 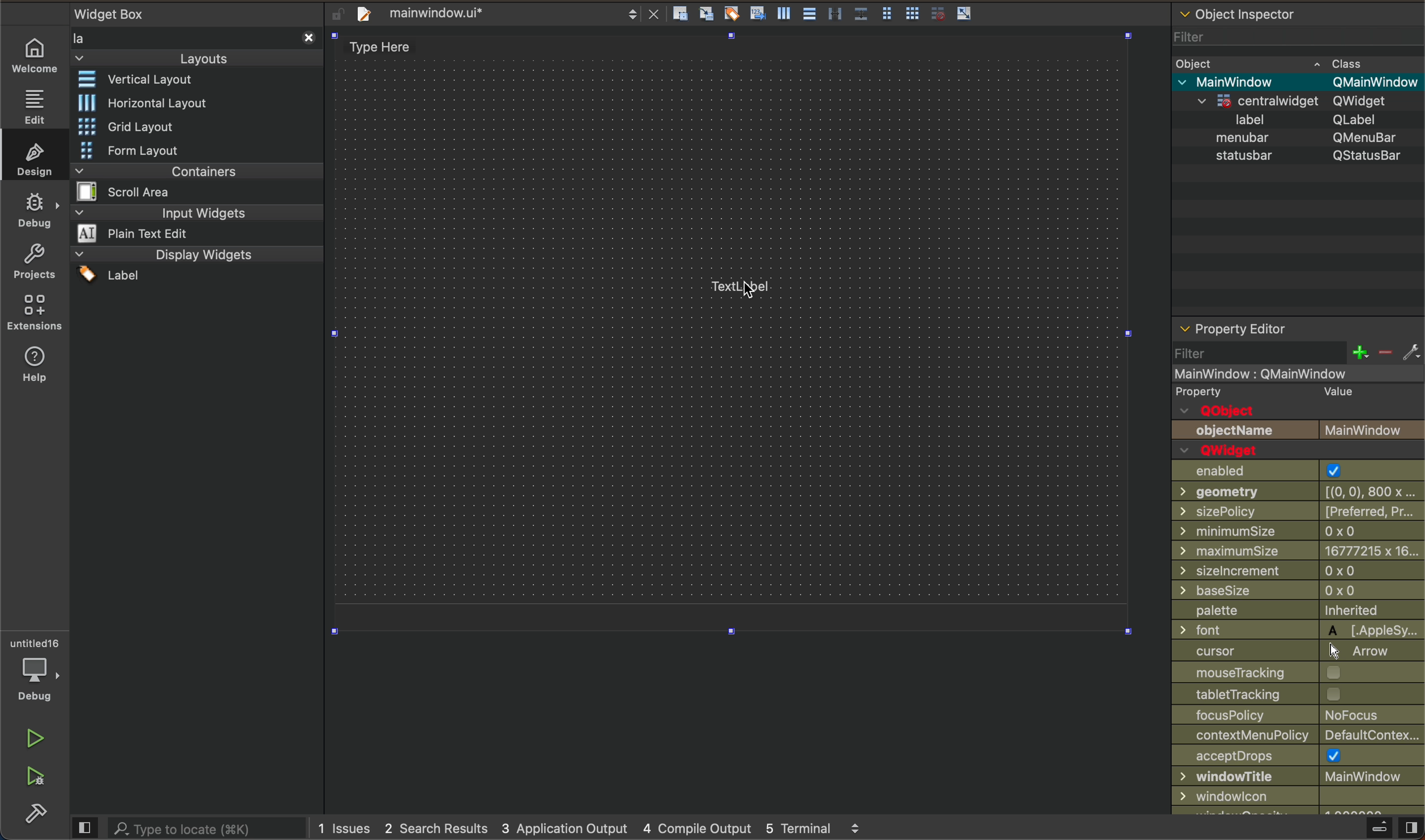 What do you see at coordinates (1295, 351) in the screenshot?
I see `filter section` at bounding box center [1295, 351].